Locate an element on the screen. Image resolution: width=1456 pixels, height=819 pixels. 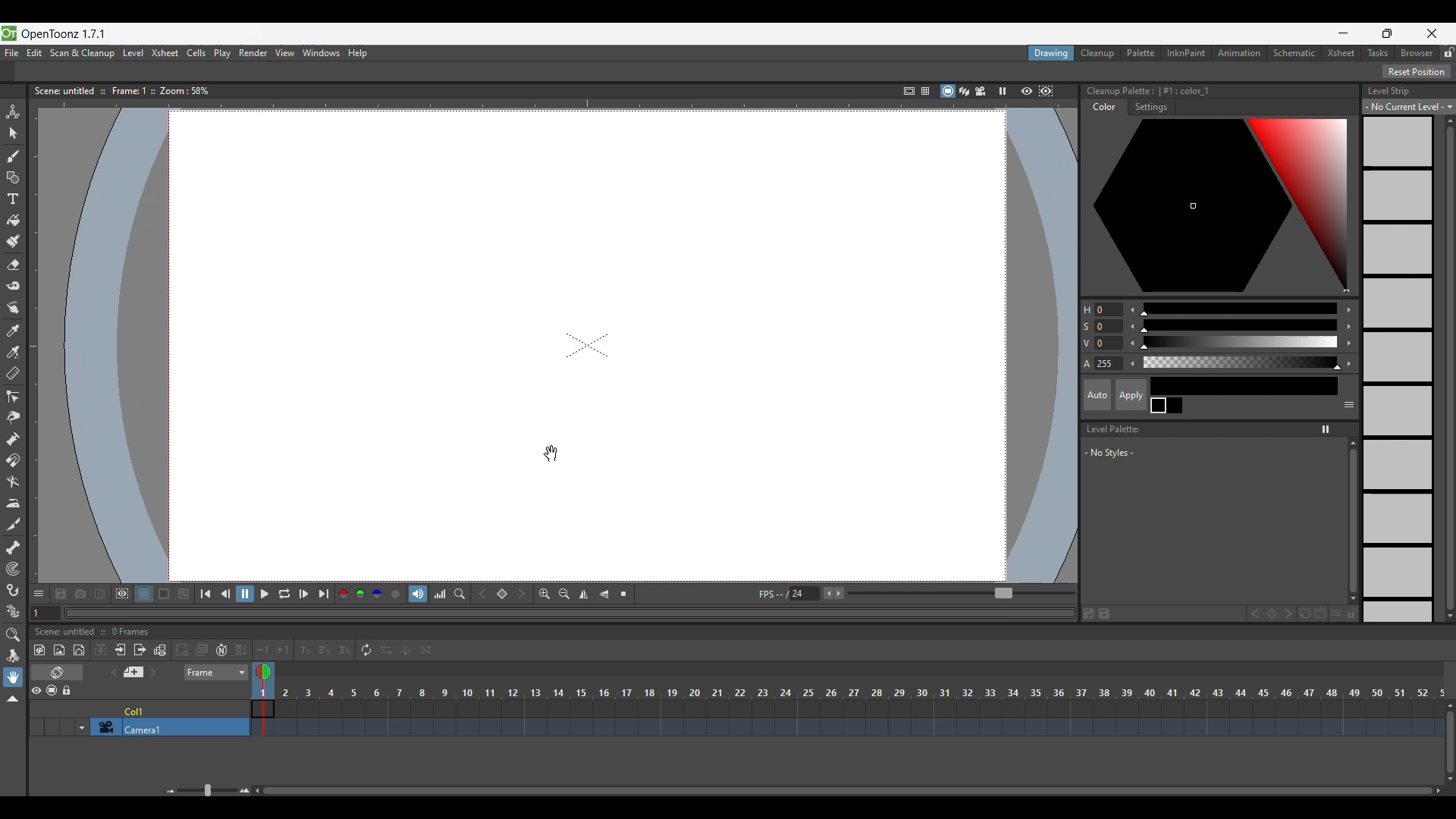
draw is located at coordinates (564, 352).